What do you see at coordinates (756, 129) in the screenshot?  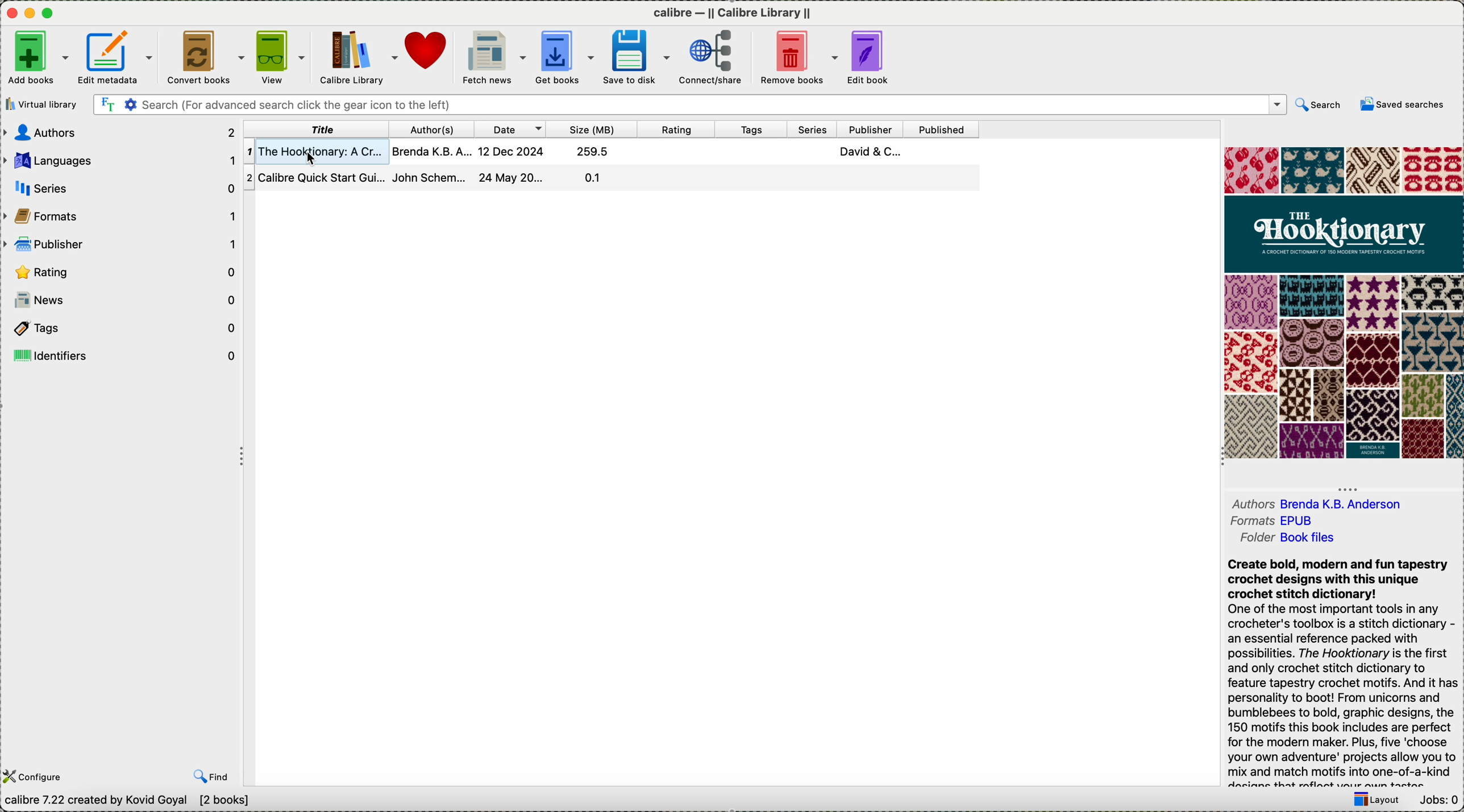 I see `tags` at bounding box center [756, 129].